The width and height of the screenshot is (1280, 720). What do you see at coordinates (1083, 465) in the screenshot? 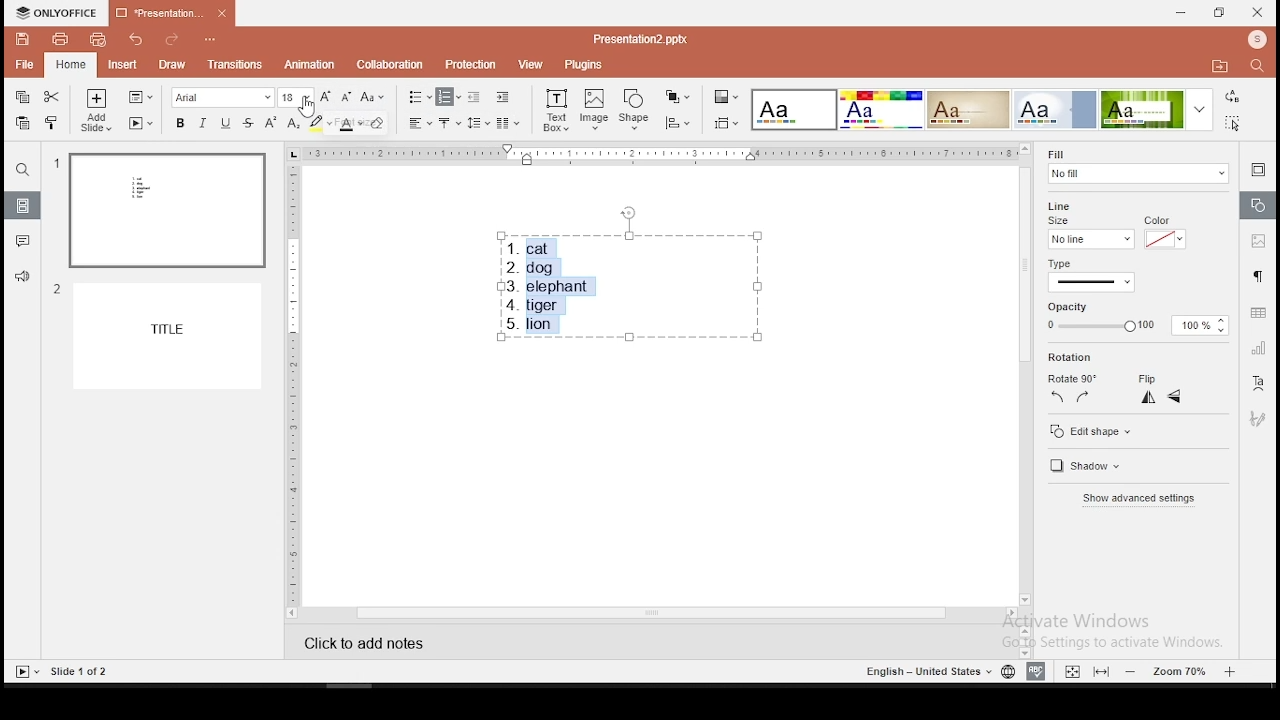
I see `shadow` at bounding box center [1083, 465].